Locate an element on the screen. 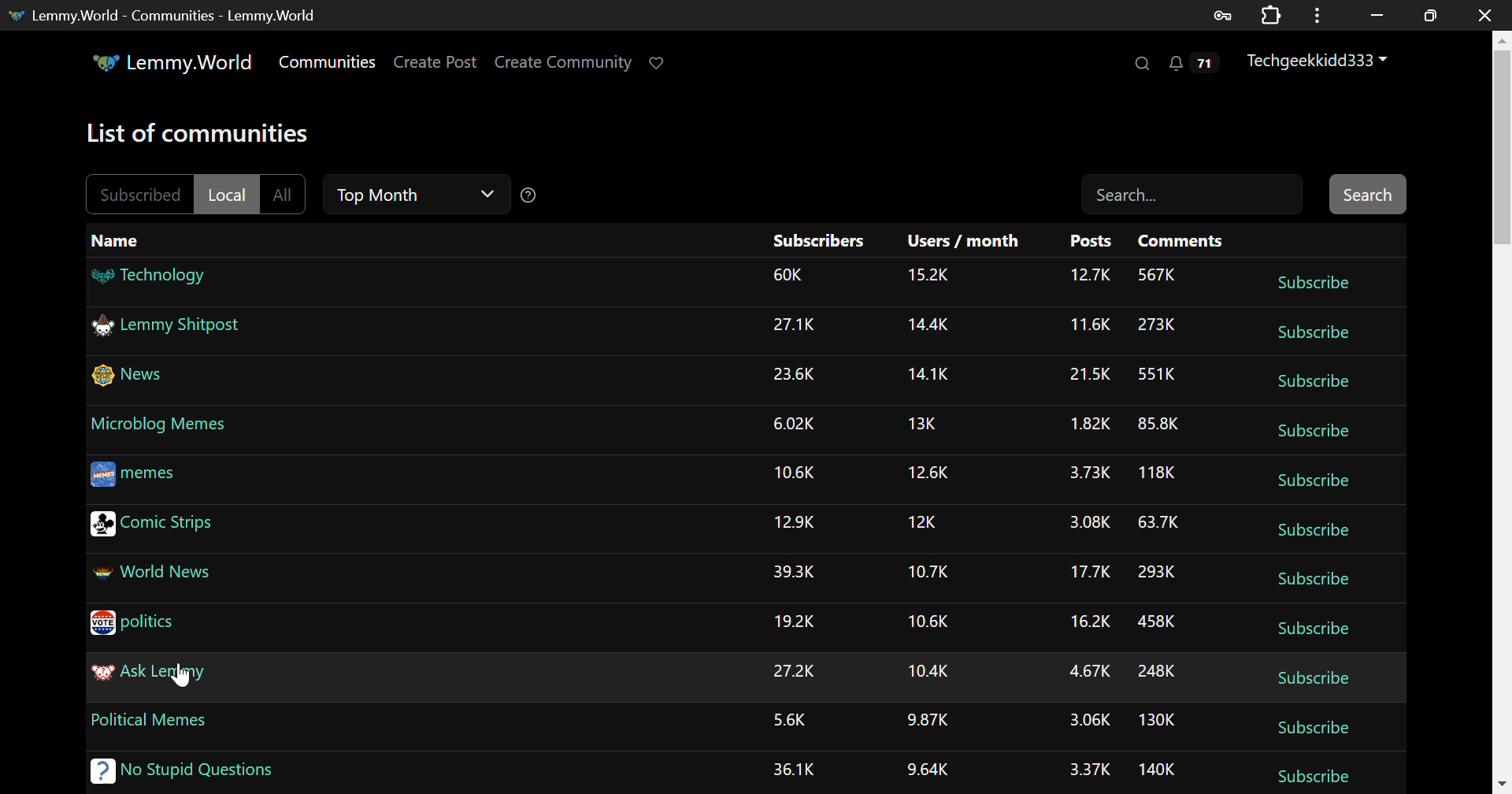 This screenshot has width=1512, height=794. Search is located at coordinates (1140, 62).